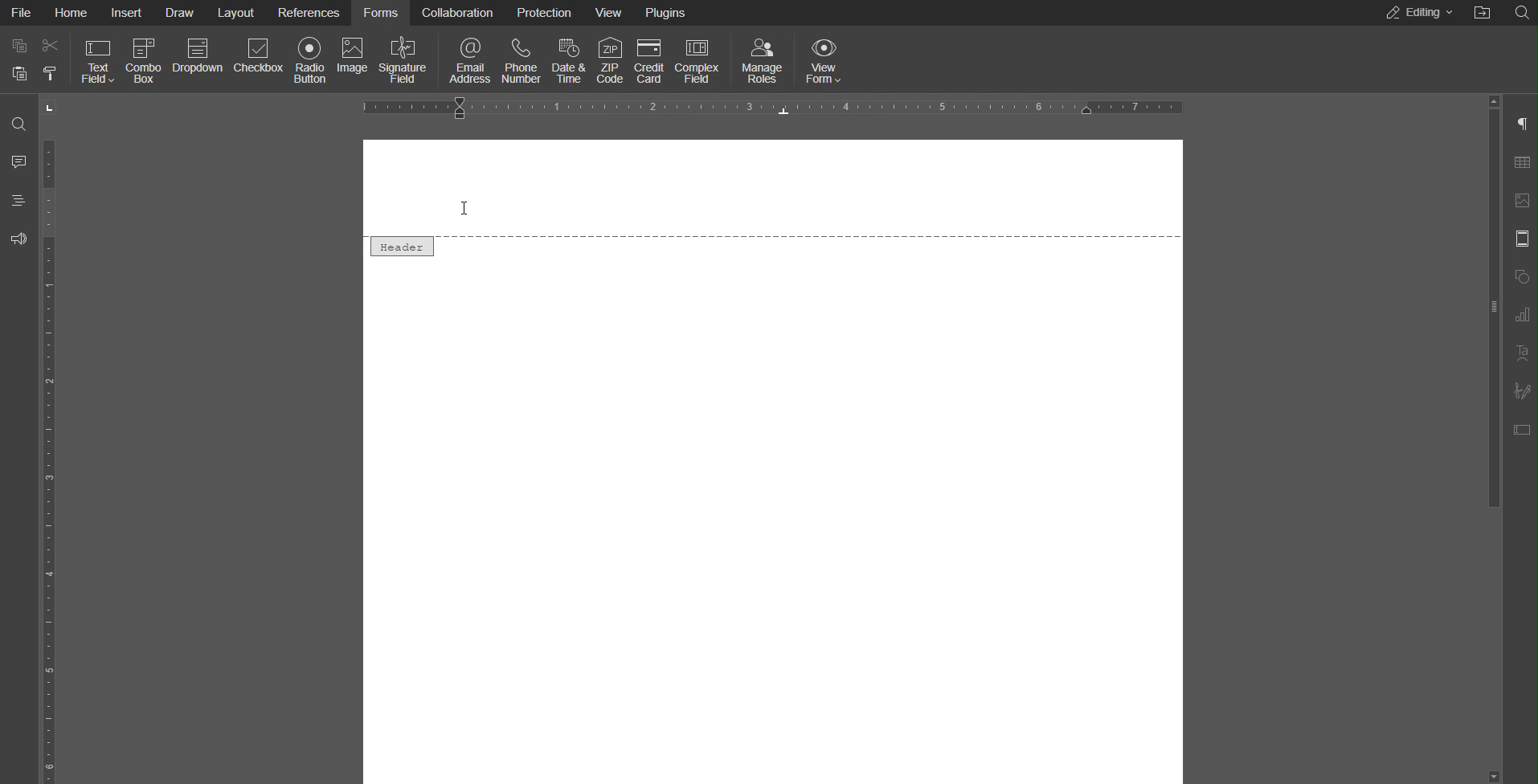  What do you see at coordinates (1520, 11) in the screenshot?
I see `Search` at bounding box center [1520, 11].